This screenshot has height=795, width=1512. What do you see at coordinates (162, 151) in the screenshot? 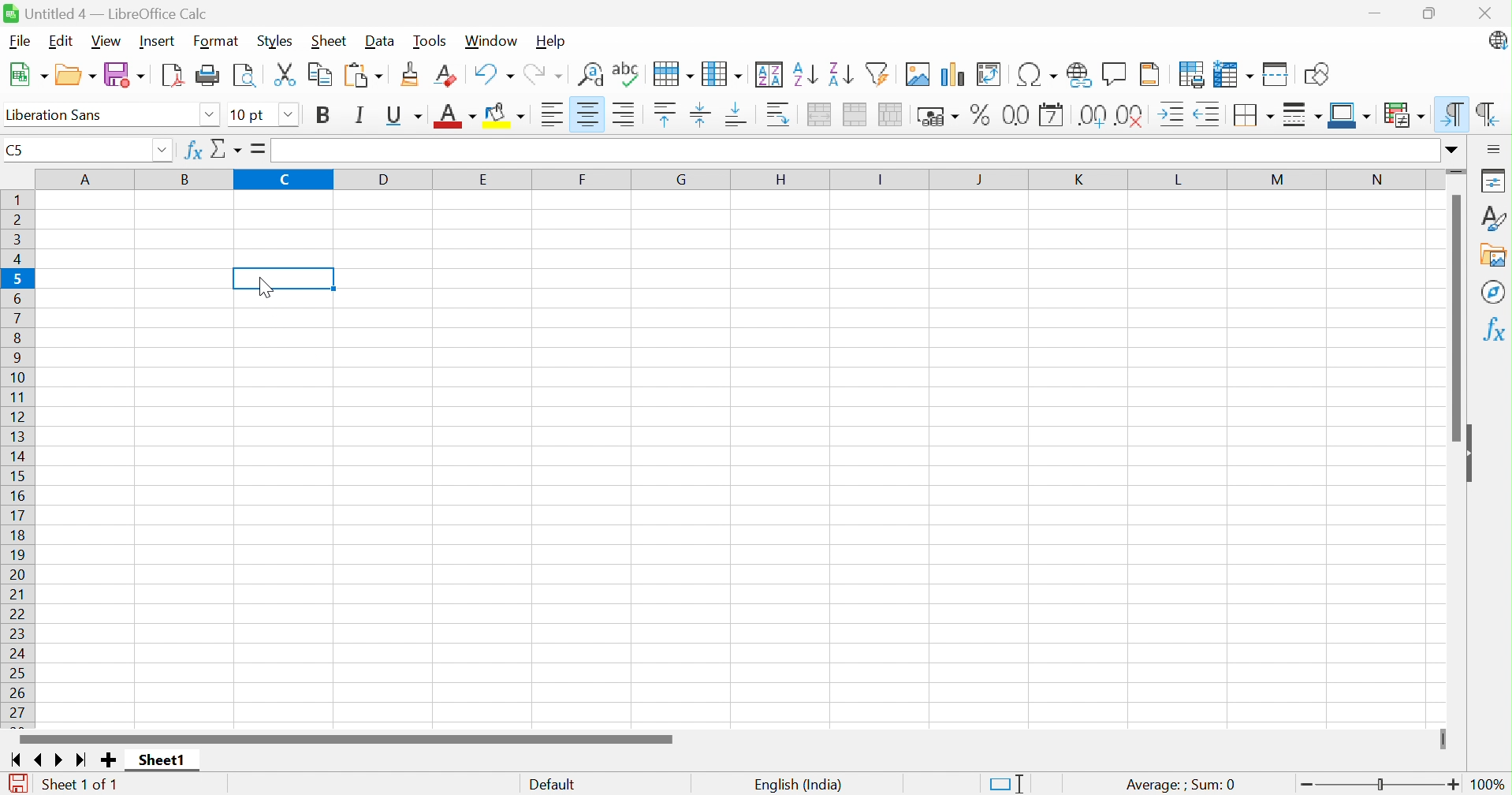
I see `Drop Down` at bounding box center [162, 151].